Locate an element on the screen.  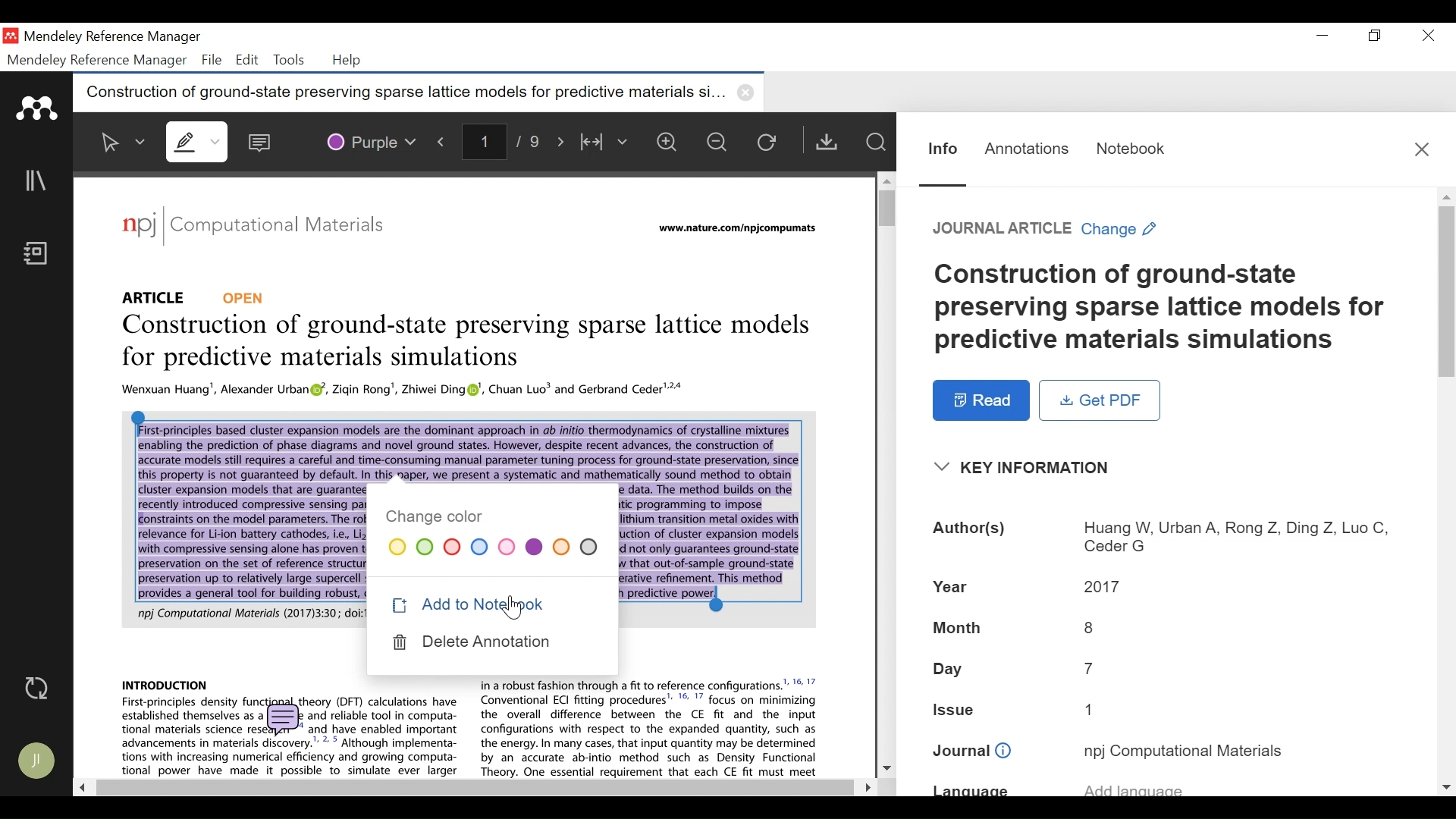
PDF Context is located at coordinates (651, 726).